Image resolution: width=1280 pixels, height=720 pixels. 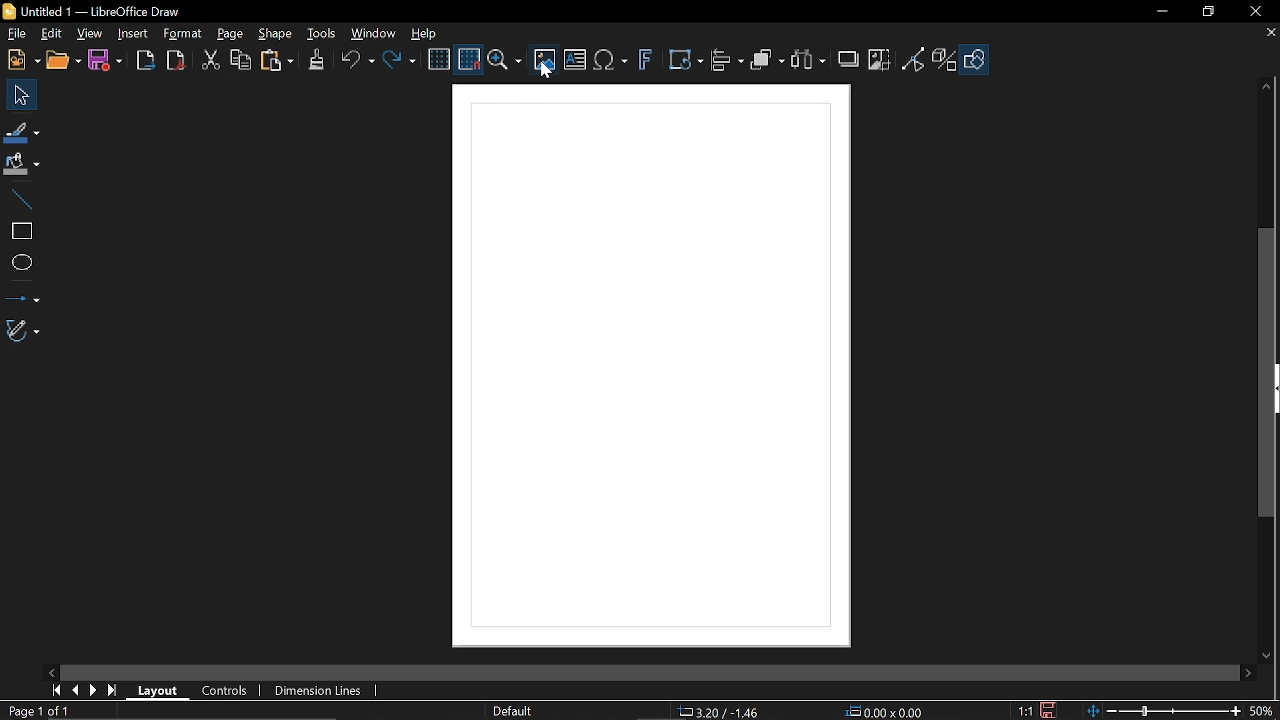 I want to click on Position, so click(x=722, y=712).